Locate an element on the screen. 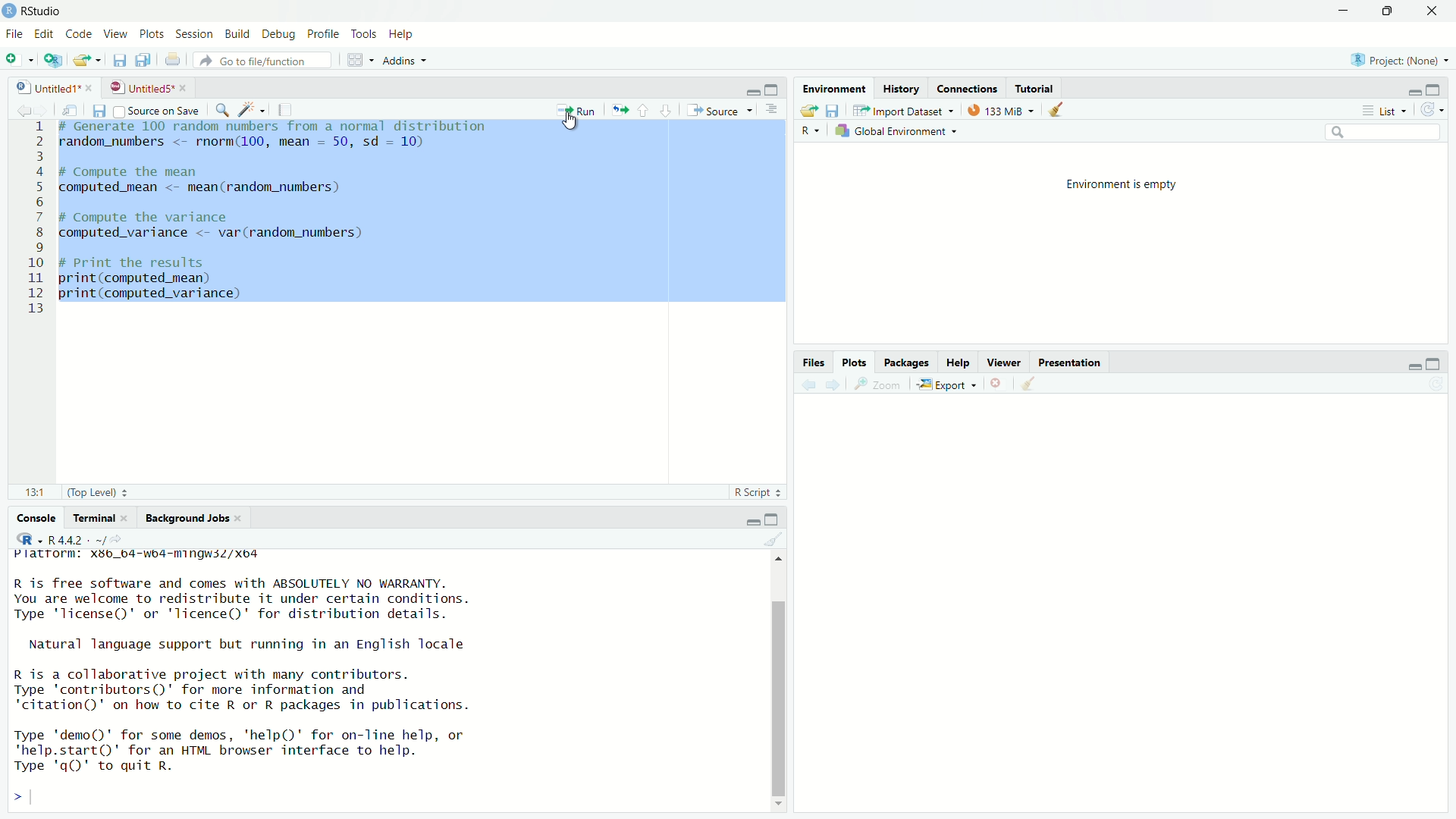 The width and height of the screenshot is (1456, 819). show in new window is located at coordinates (71, 108).